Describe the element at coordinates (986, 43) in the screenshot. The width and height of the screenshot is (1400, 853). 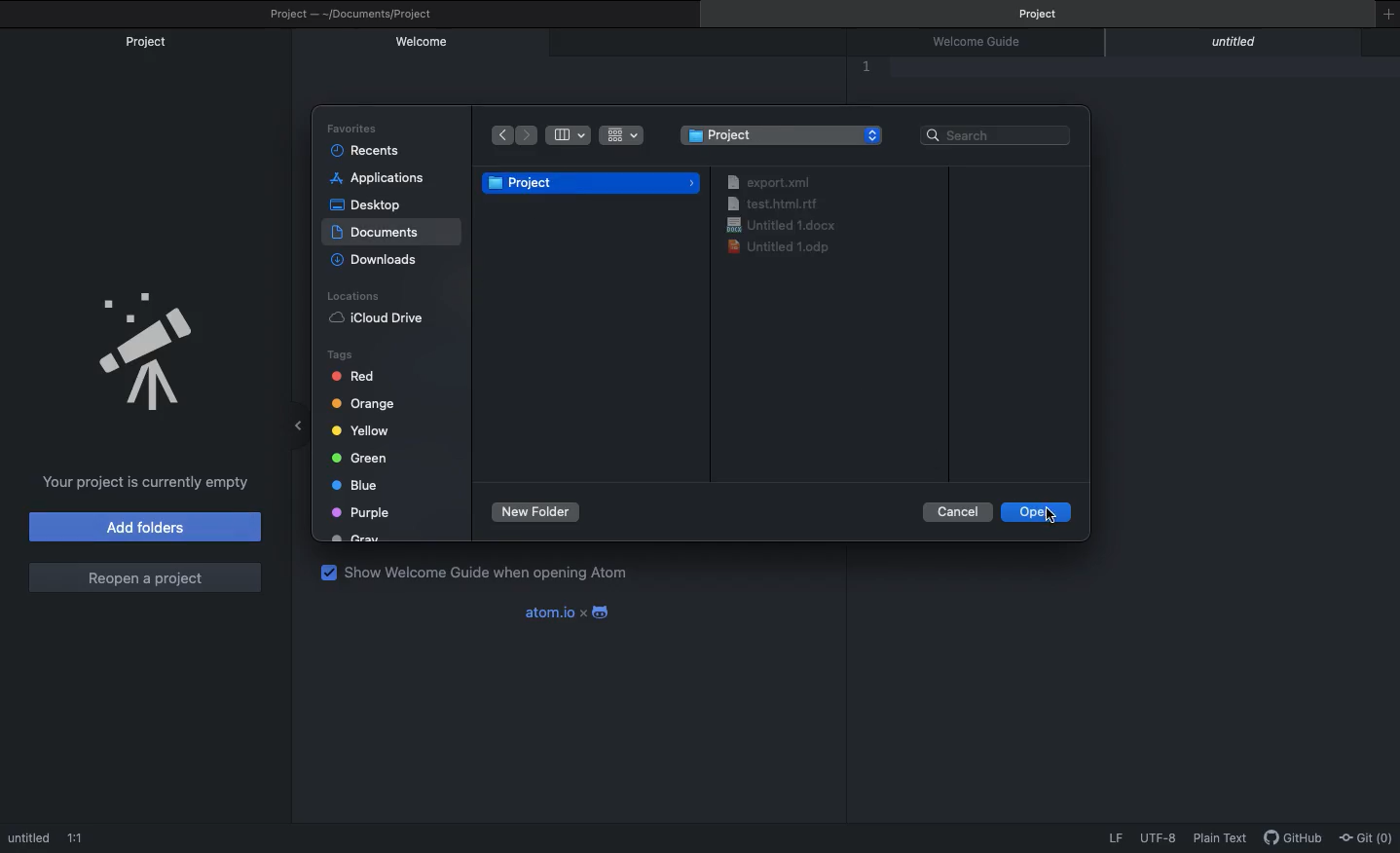
I see `Welcome guide` at that location.